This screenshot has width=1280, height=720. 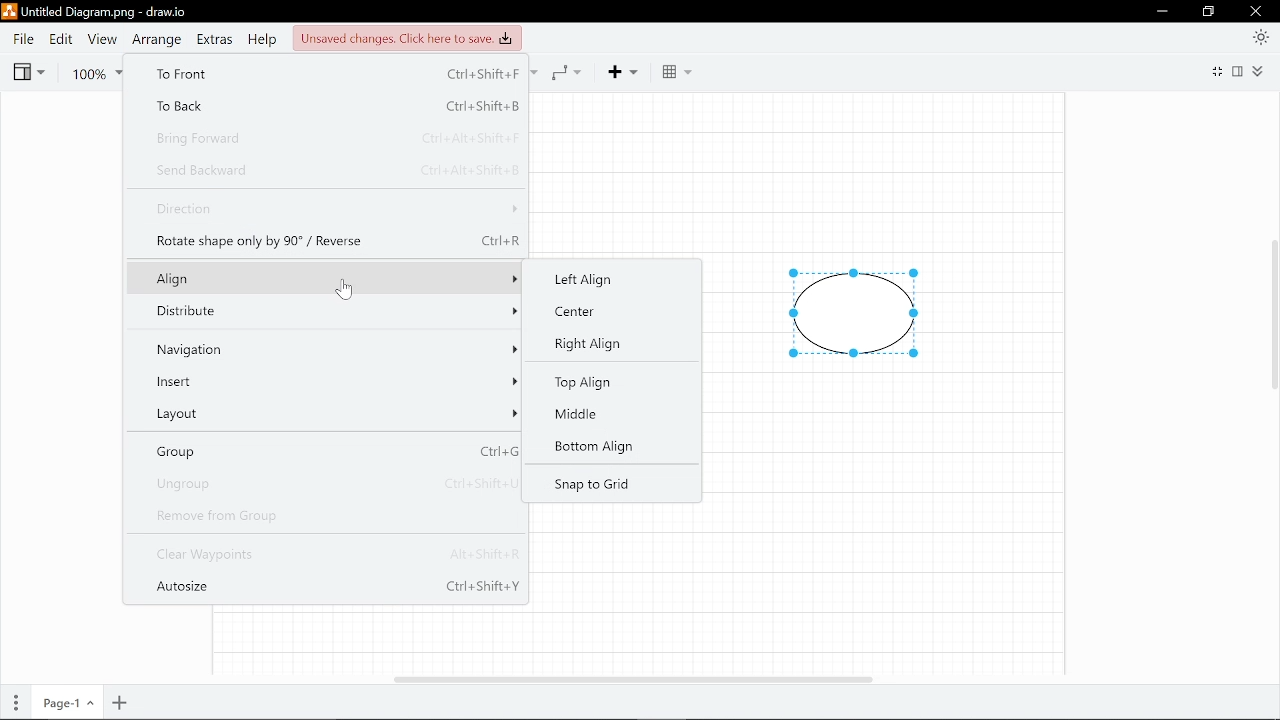 I want to click on View, so click(x=100, y=39).